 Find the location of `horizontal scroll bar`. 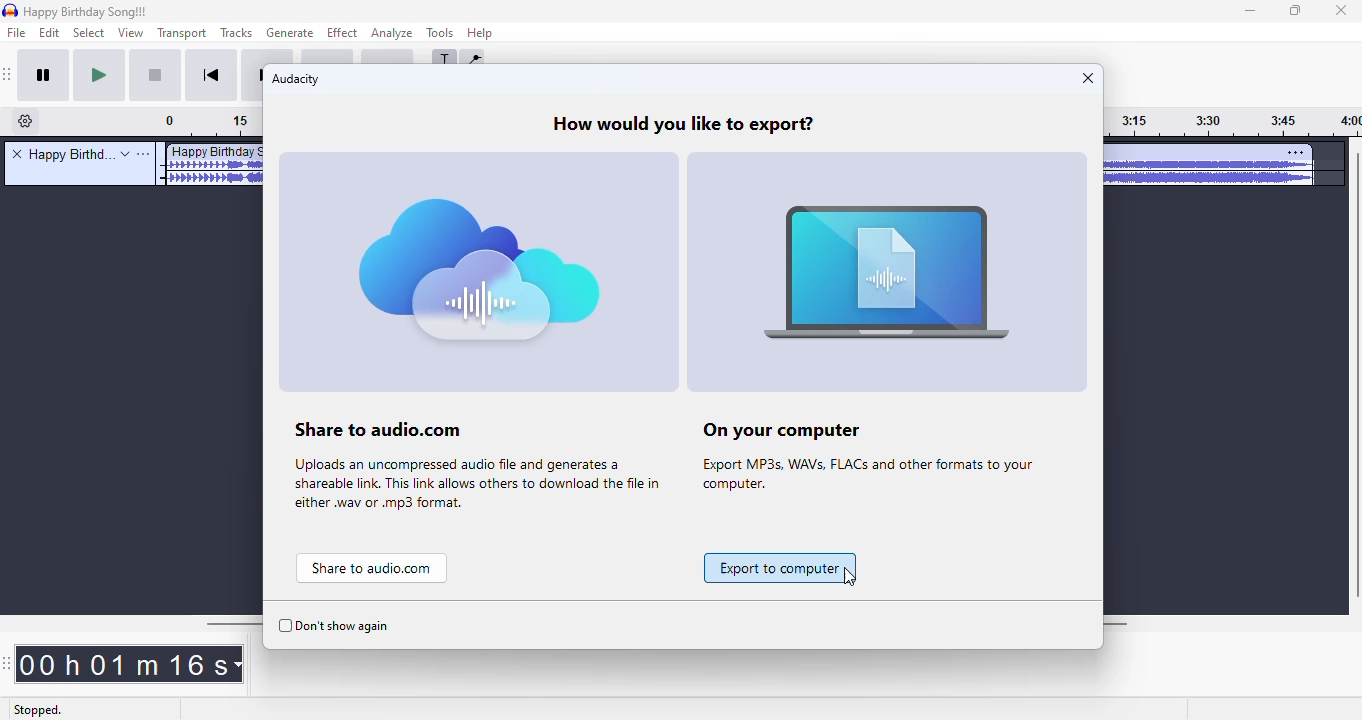

horizontal scroll bar is located at coordinates (1121, 624).